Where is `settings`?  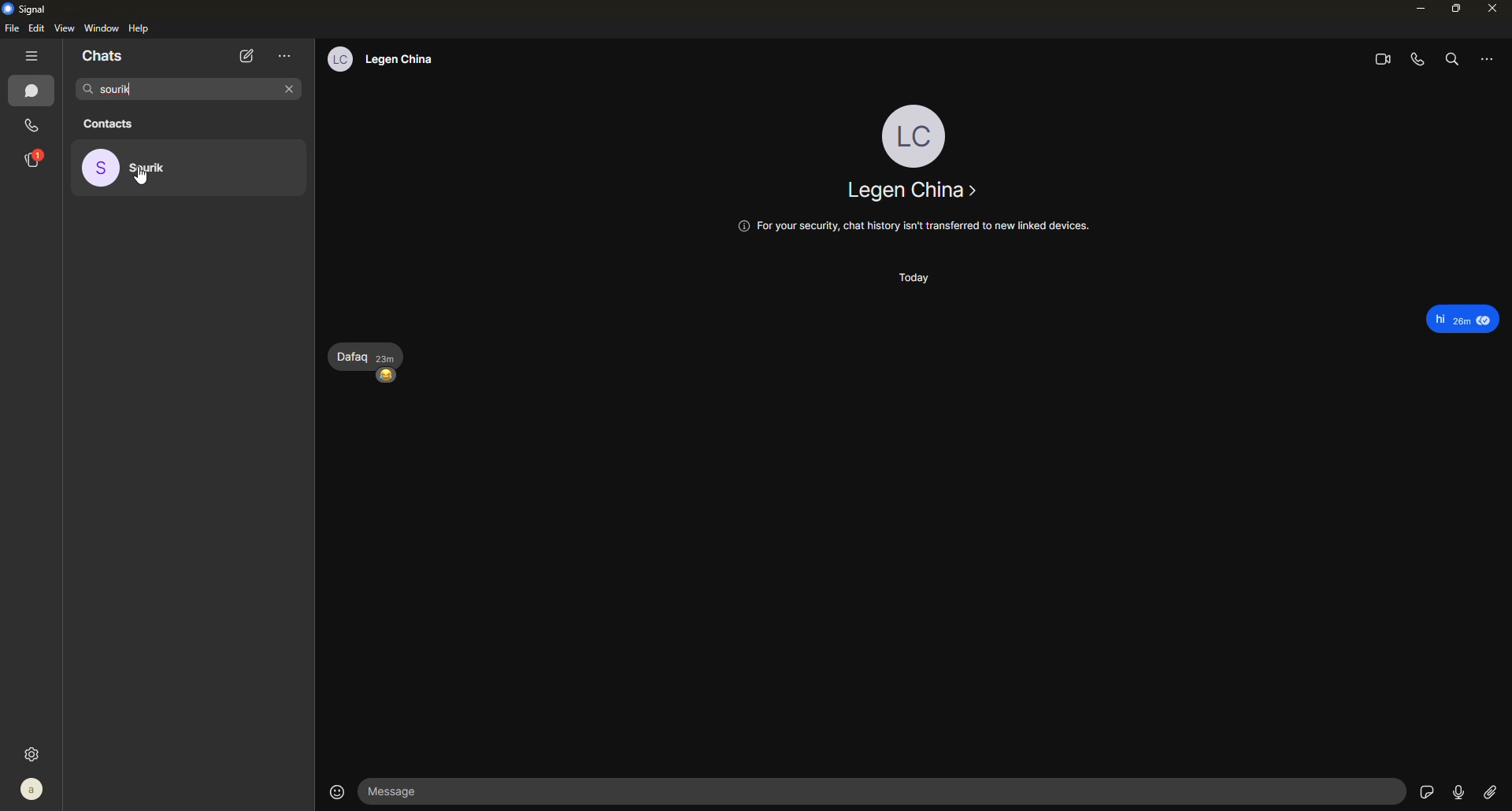 settings is located at coordinates (31, 753).